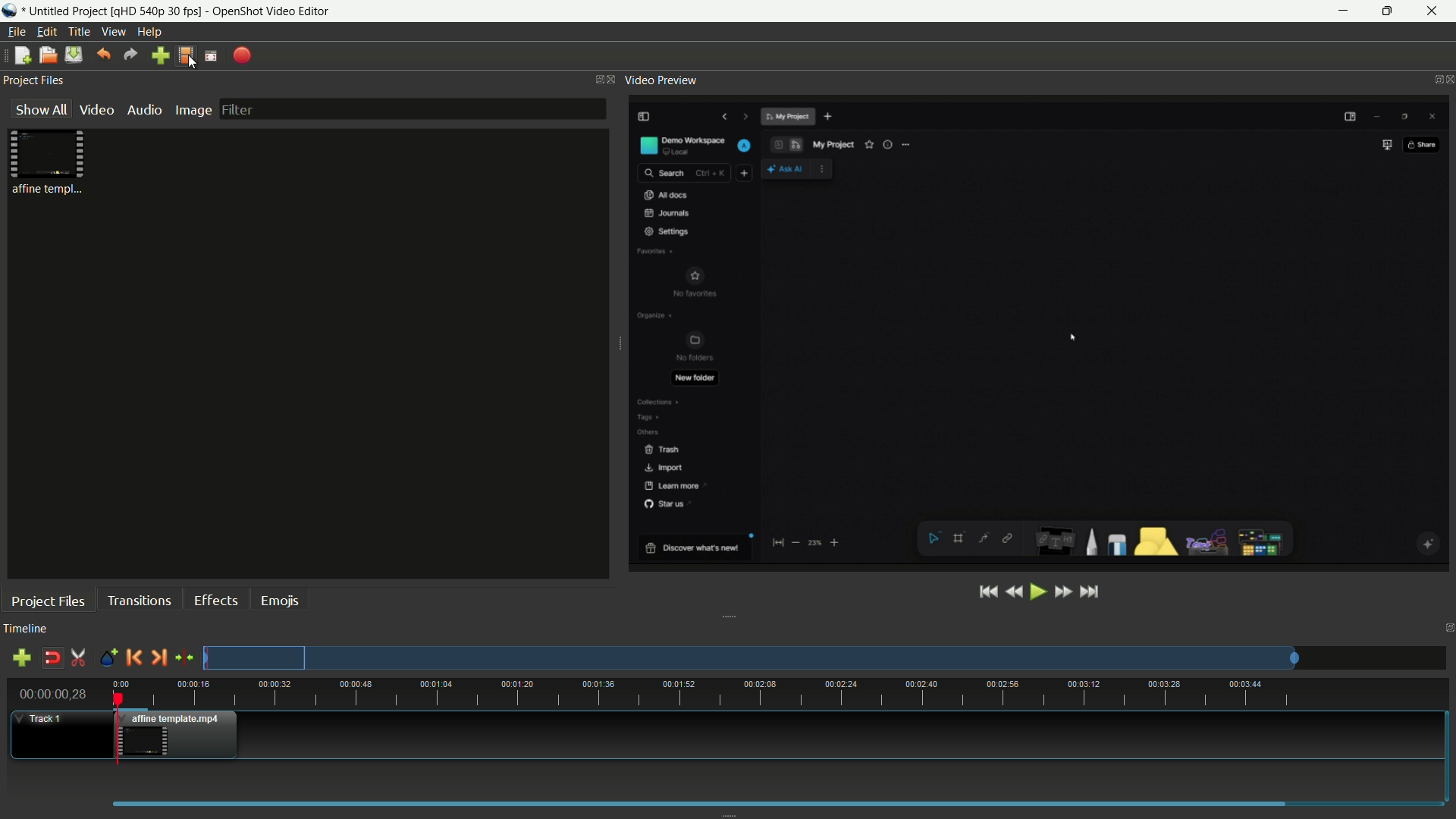  Describe the element at coordinates (66, 11) in the screenshot. I see `project name` at that location.